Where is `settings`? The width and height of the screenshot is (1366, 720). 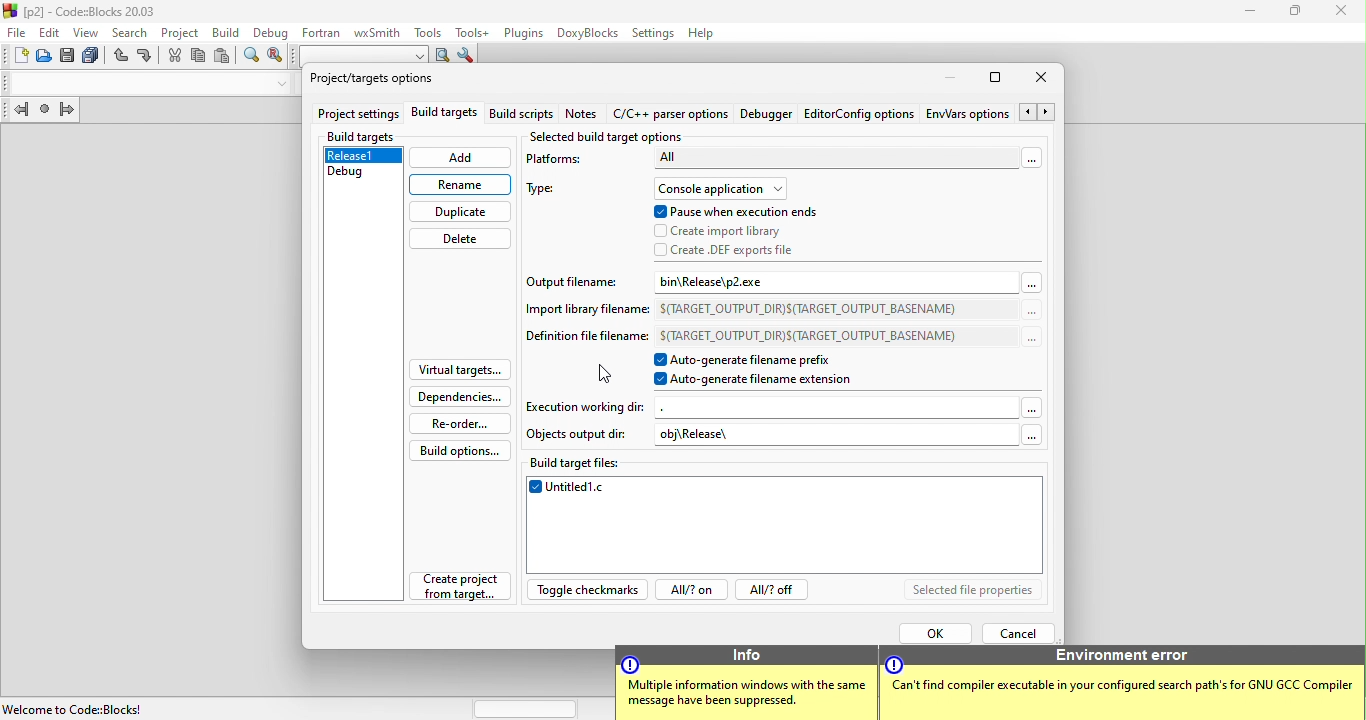
settings is located at coordinates (653, 32).